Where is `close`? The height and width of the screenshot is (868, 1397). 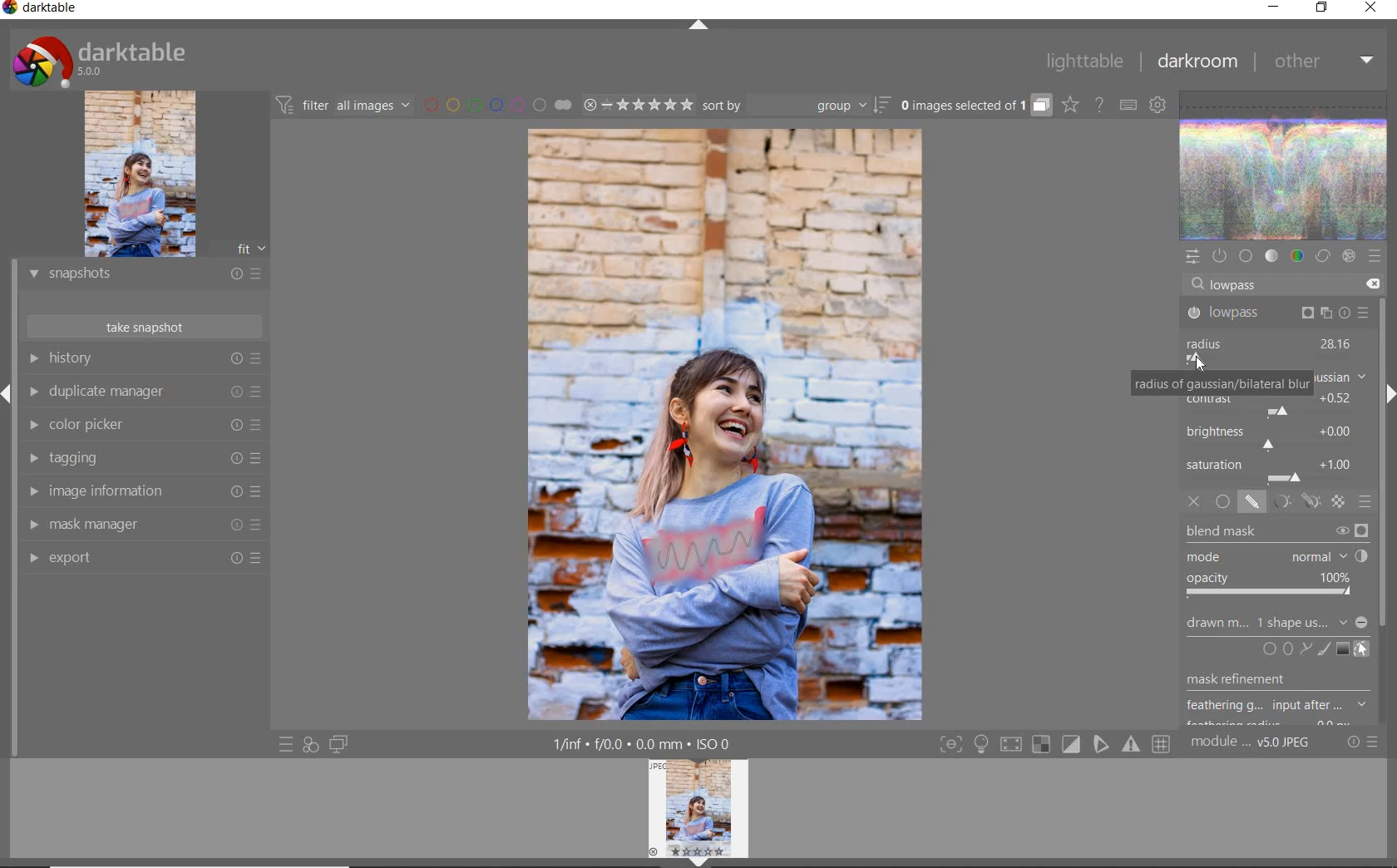 close is located at coordinates (1370, 9).